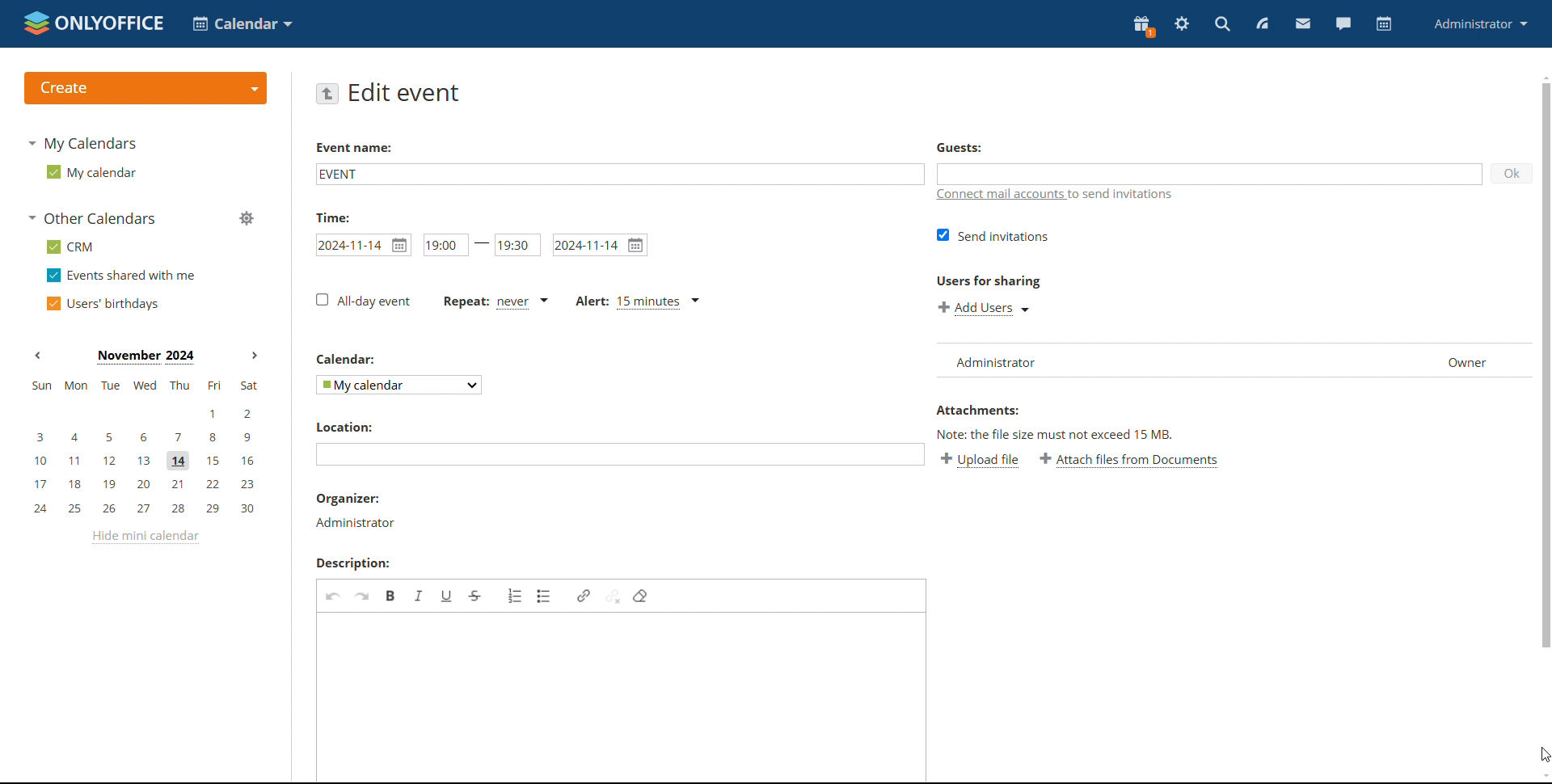 The width and height of the screenshot is (1552, 784). I want to click on create, so click(145, 88).